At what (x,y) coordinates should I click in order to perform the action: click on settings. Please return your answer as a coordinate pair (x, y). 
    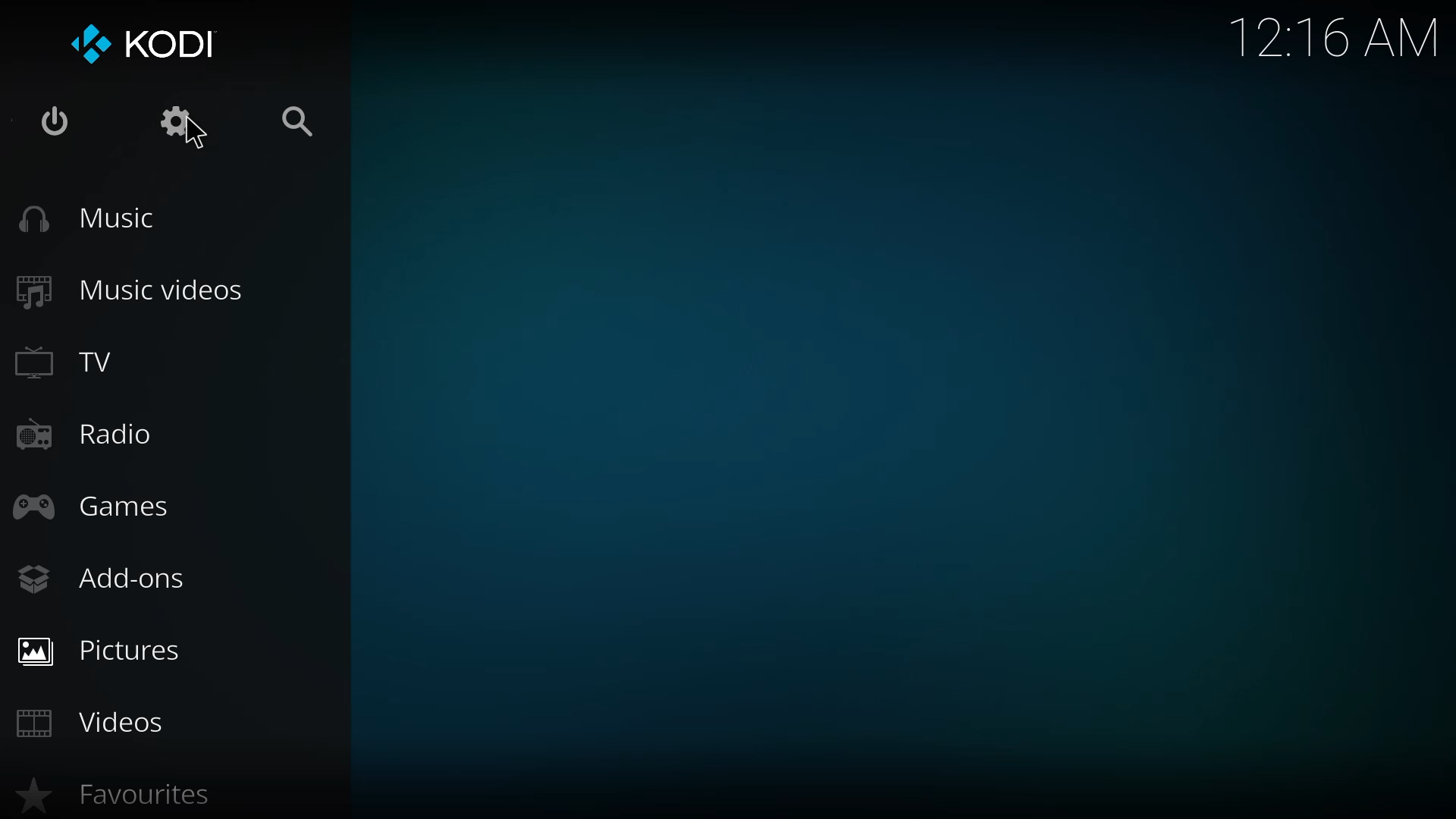
    Looking at the image, I should click on (179, 127).